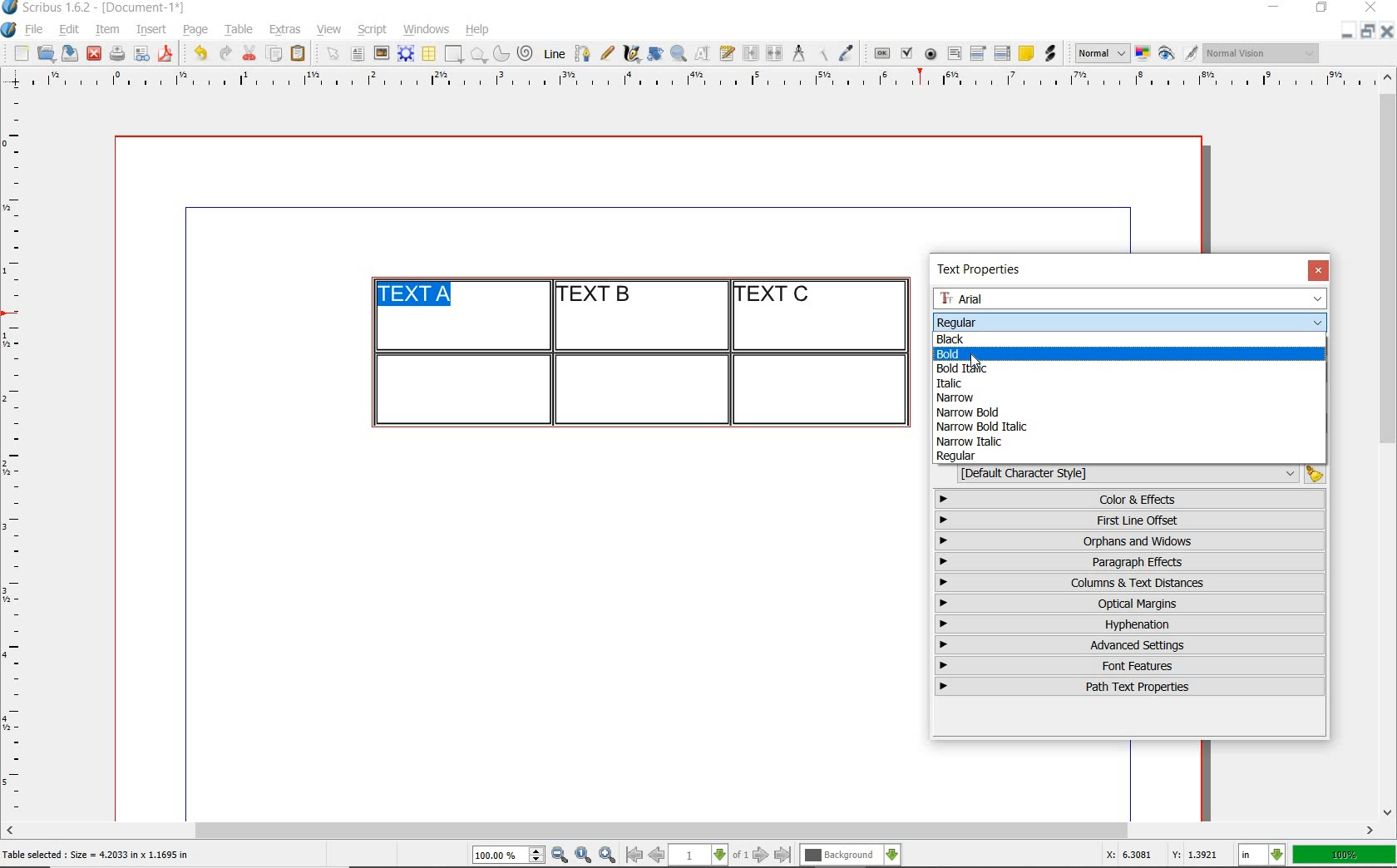  What do you see at coordinates (752, 55) in the screenshot?
I see `link text frames` at bounding box center [752, 55].